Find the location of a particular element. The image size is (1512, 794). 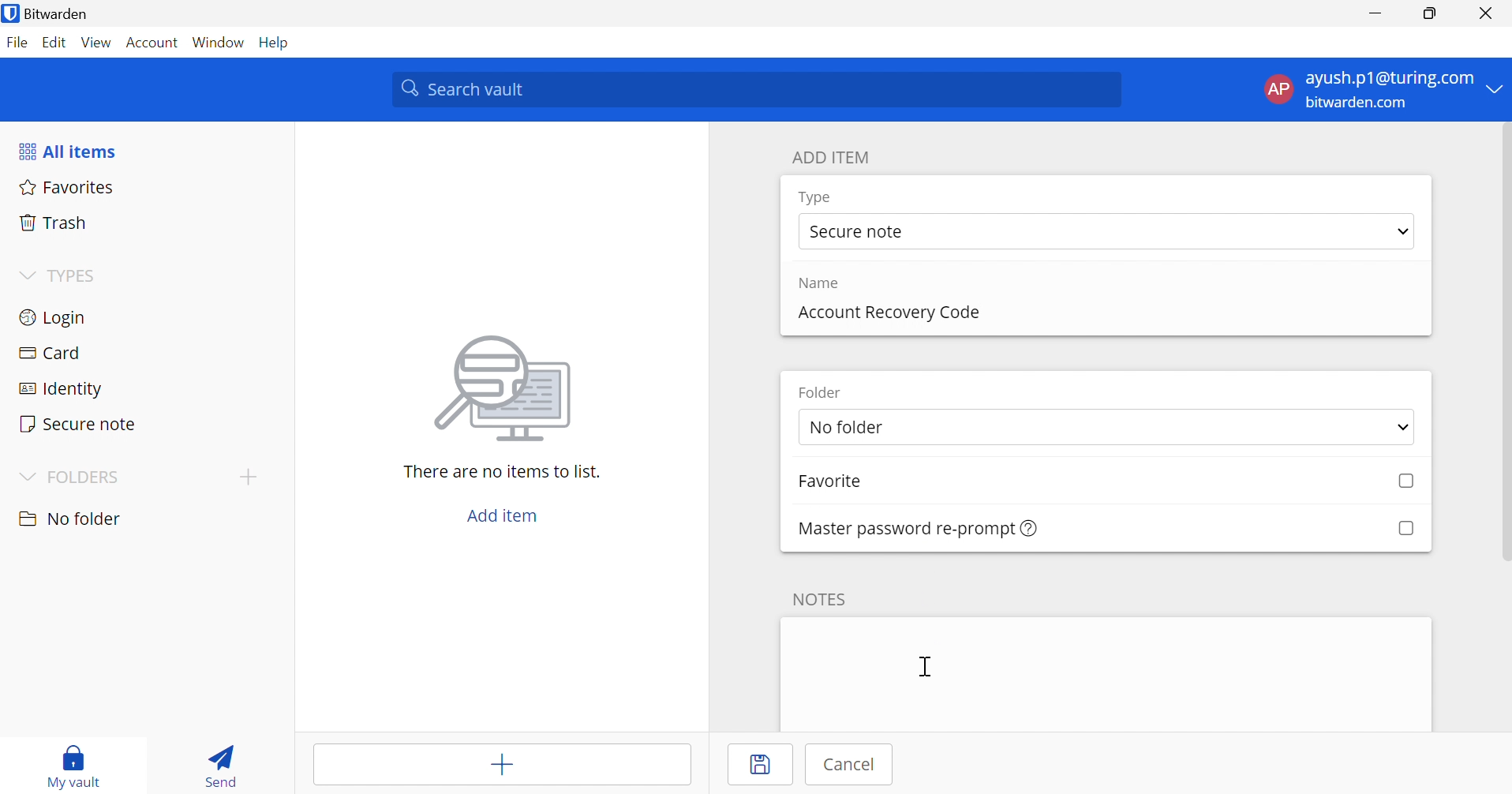

Secure note is located at coordinates (79, 423).